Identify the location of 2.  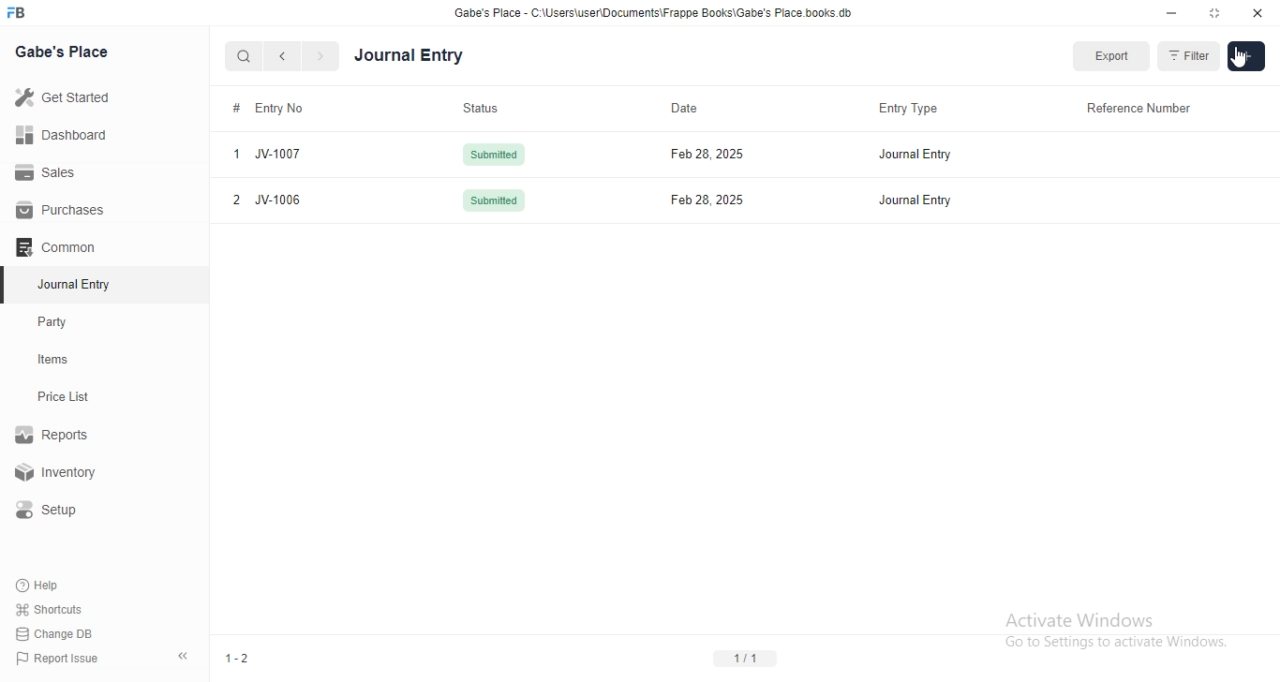
(235, 199).